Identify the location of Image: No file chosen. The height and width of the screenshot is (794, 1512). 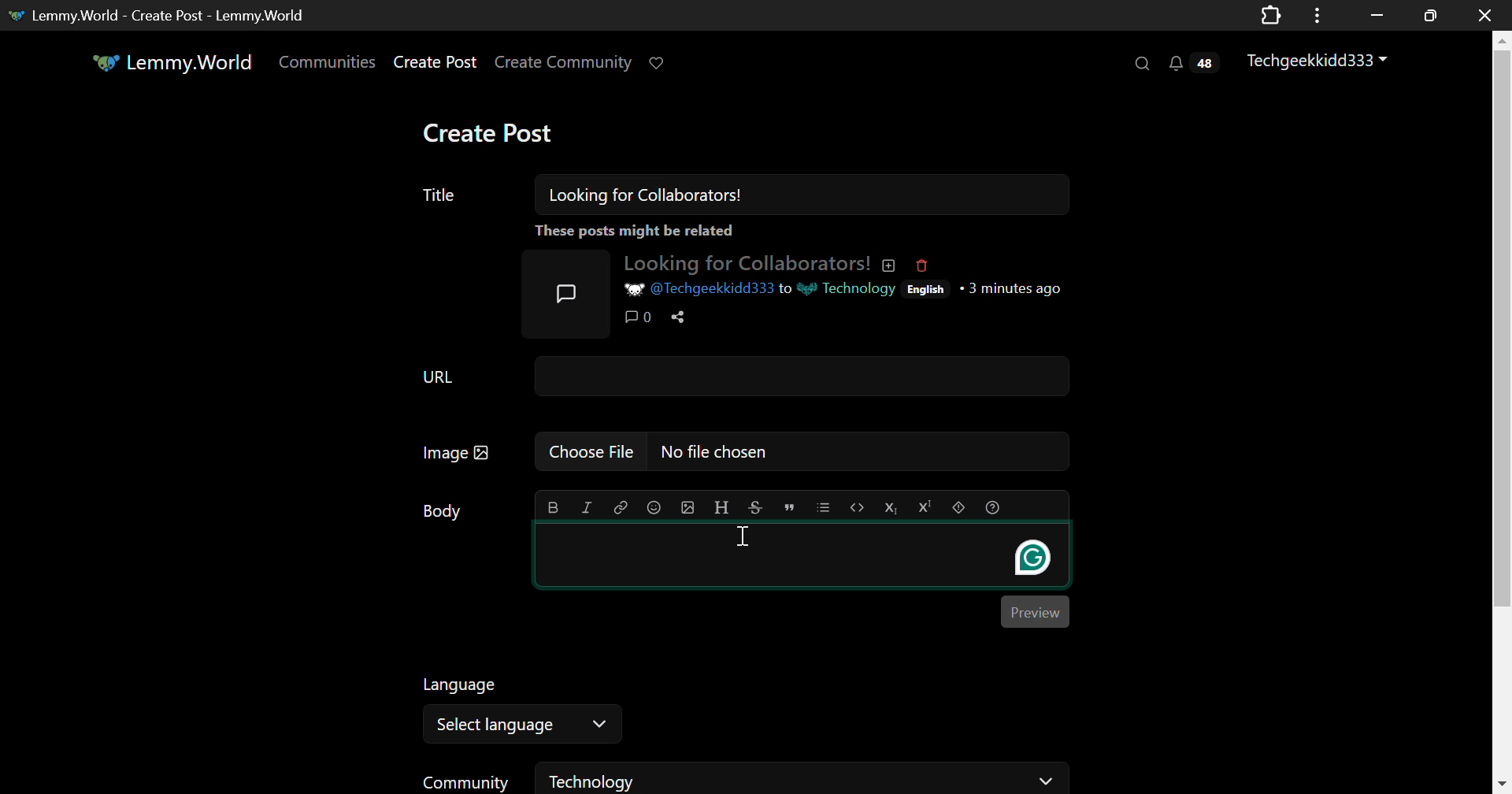
(743, 452).